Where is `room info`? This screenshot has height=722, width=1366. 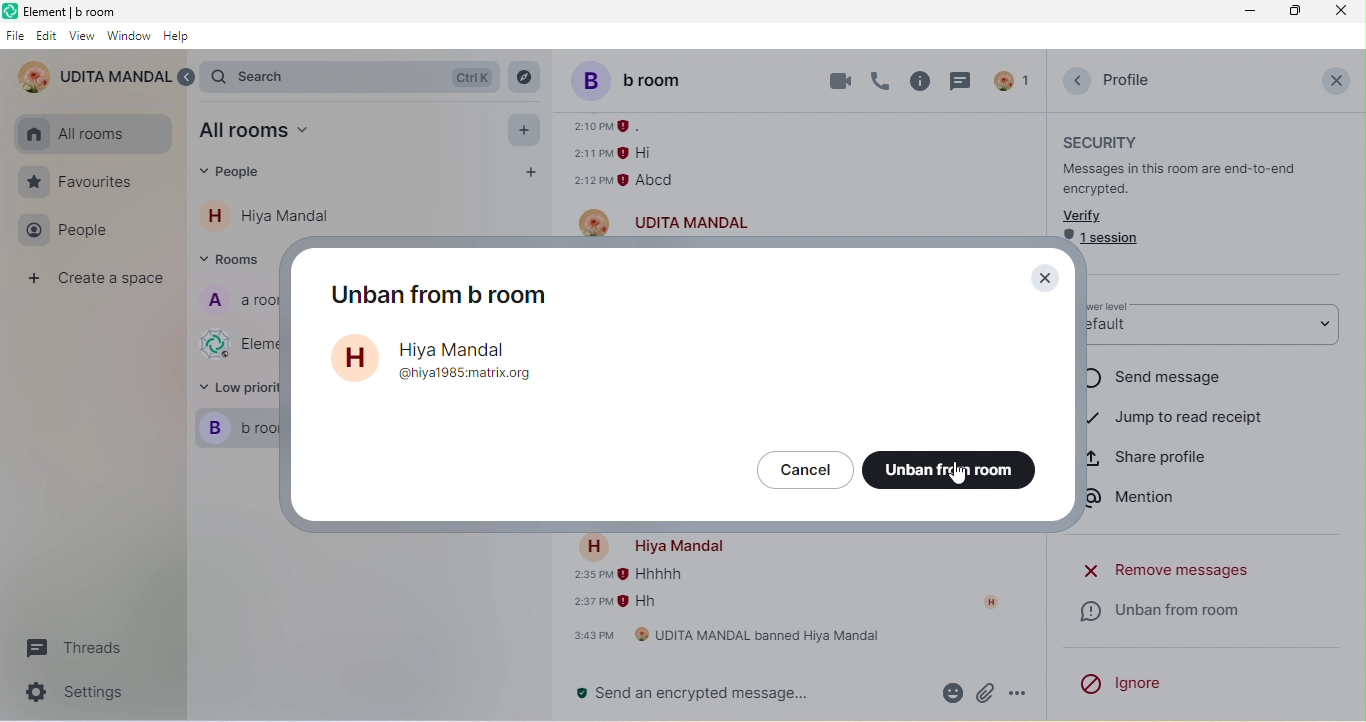
room info is located at coordinates (921, 82).